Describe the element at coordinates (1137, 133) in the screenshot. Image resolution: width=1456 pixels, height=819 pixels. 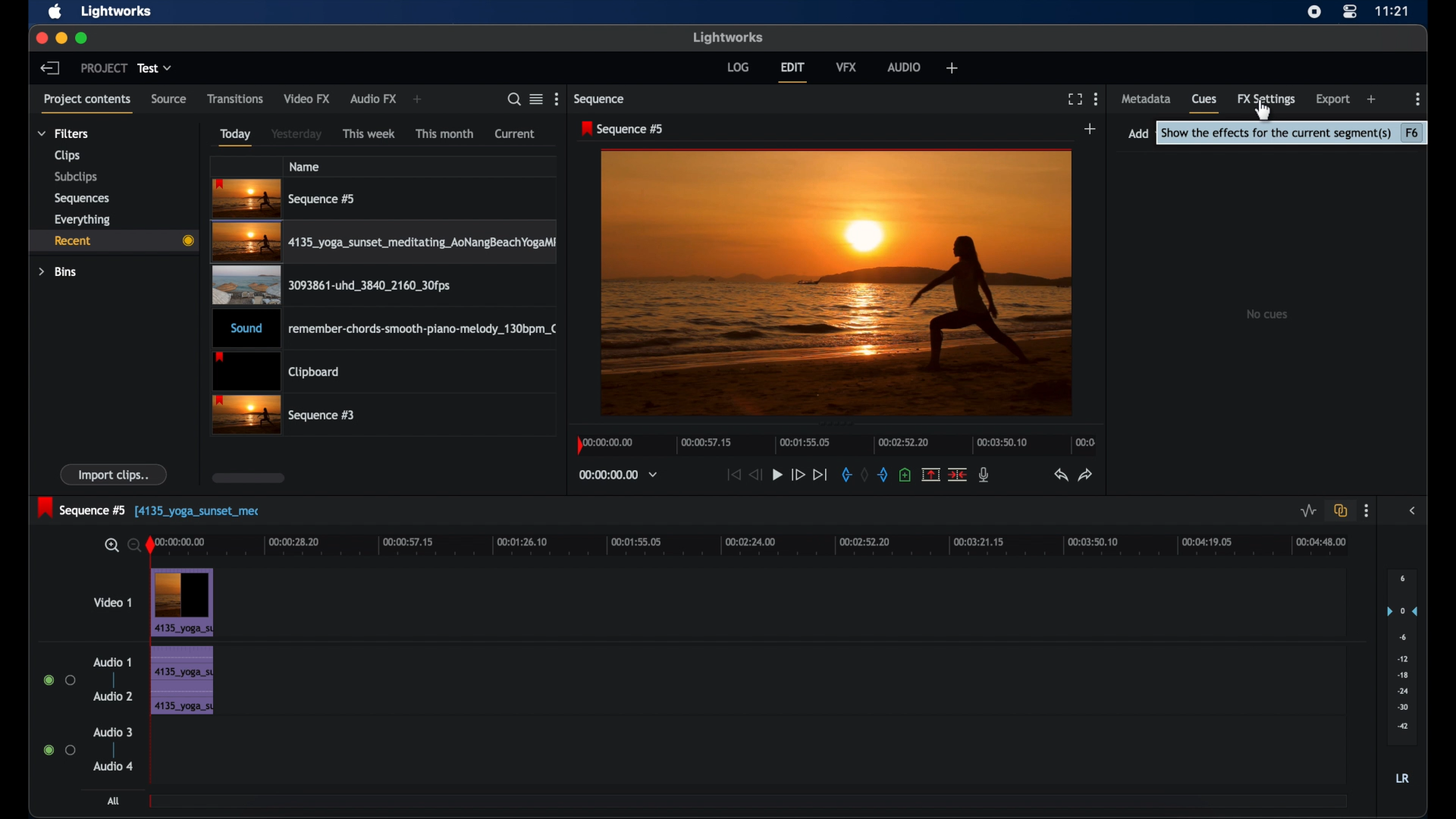
I see `add` at that location.